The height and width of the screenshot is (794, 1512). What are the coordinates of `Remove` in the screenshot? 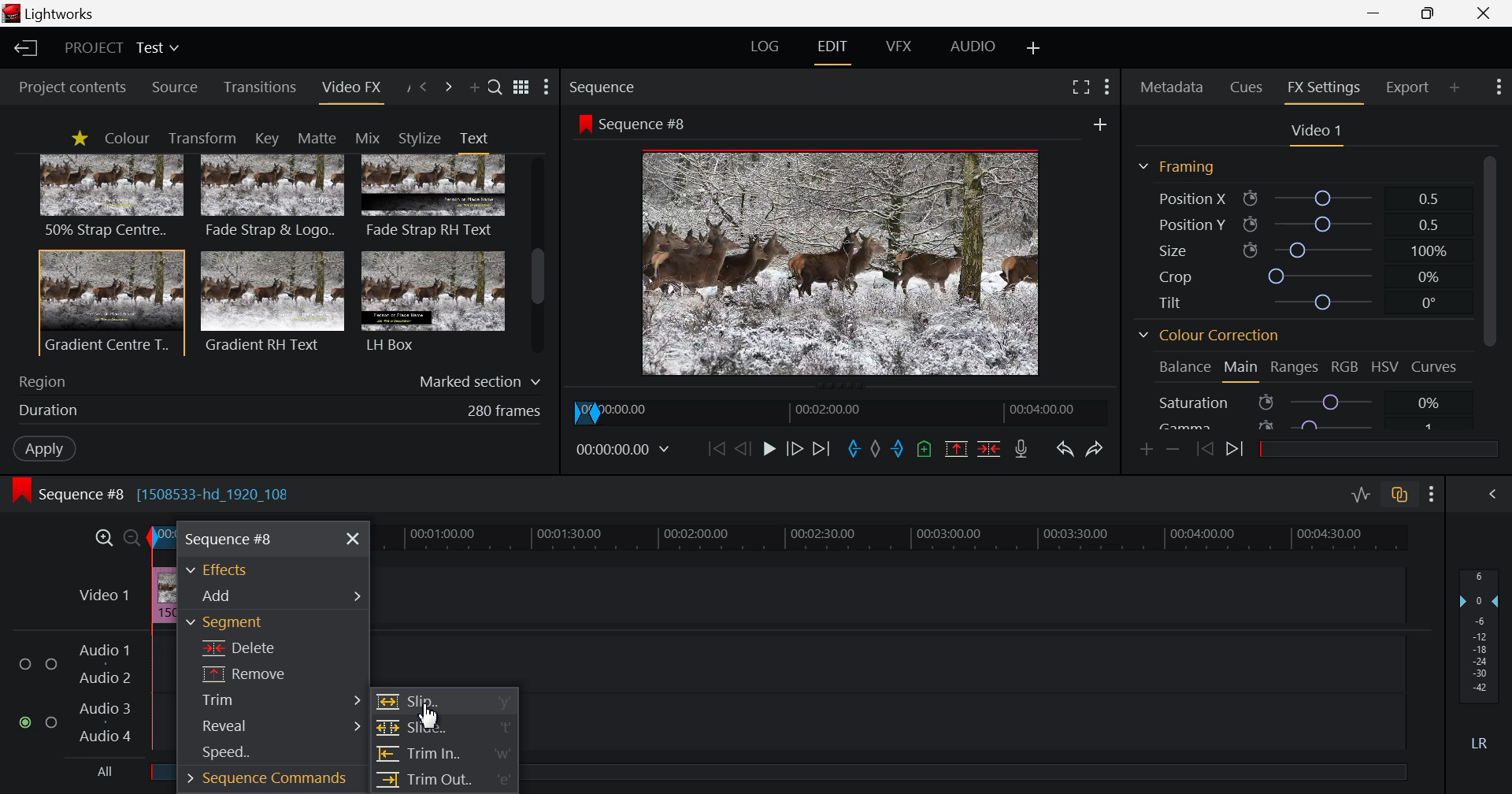 It's located at (275, 673).